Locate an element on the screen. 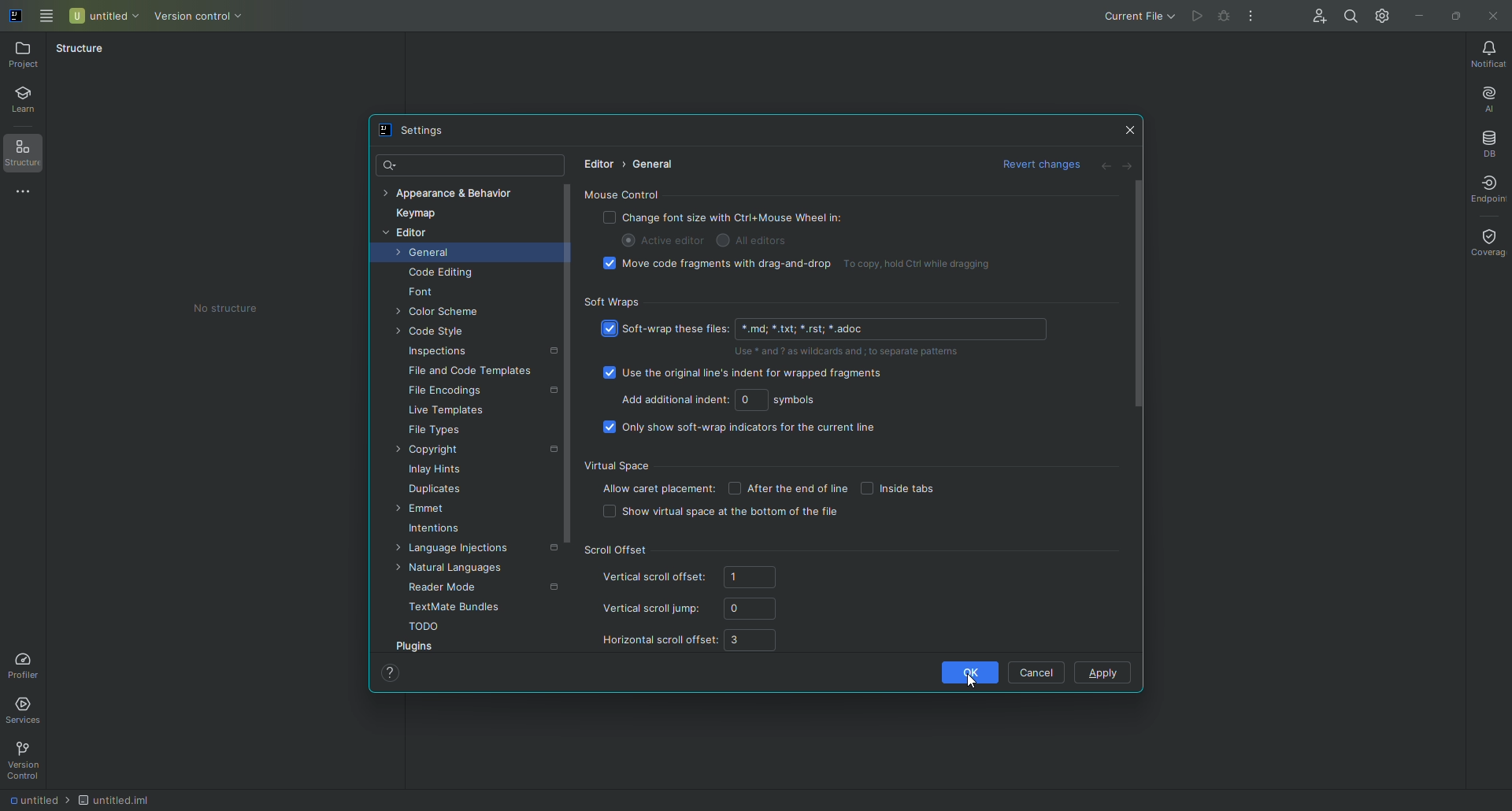 The height and width of the screenshot is (811, 1512). Help is located at coordinates (391, 673).